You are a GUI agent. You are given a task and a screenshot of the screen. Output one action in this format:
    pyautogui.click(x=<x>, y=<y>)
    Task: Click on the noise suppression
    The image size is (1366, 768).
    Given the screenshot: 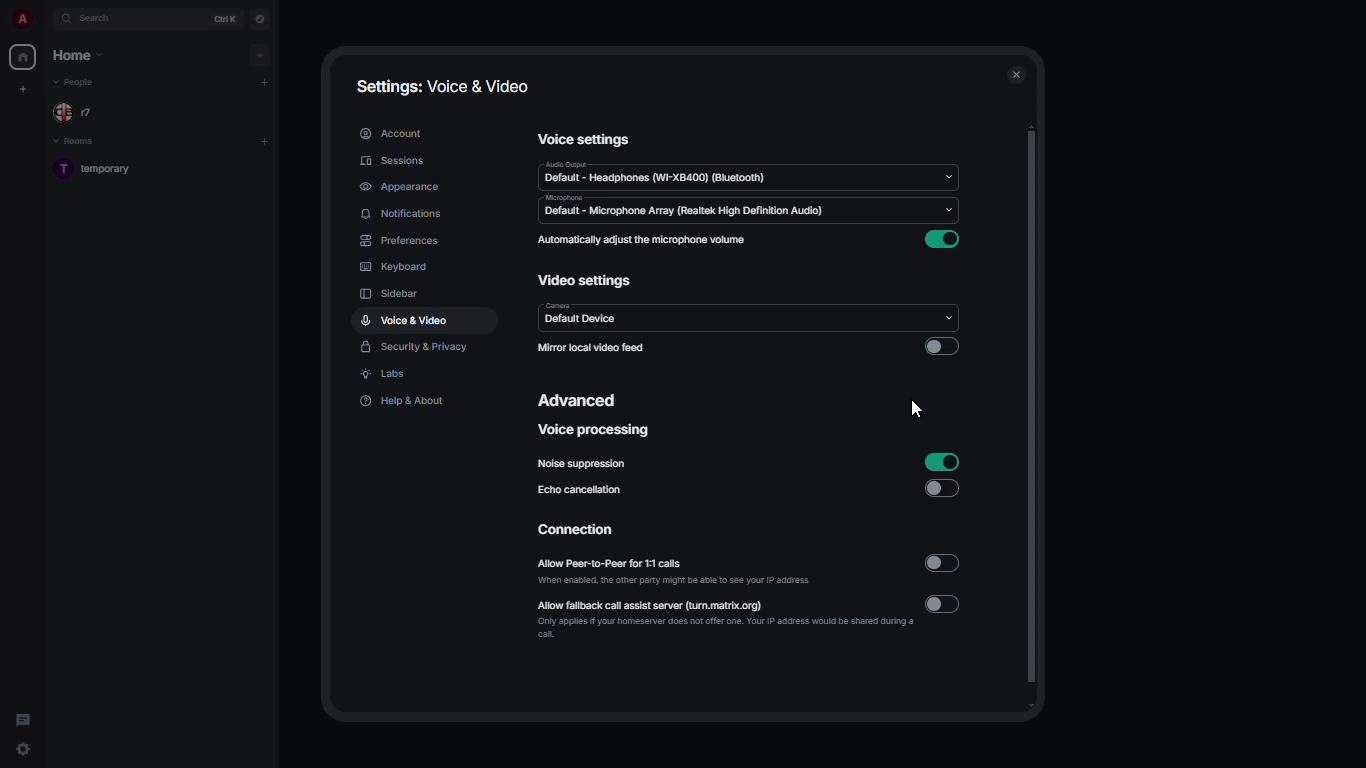 What is the action you would take?
    pyautogui.click(x=582, y=465)
    